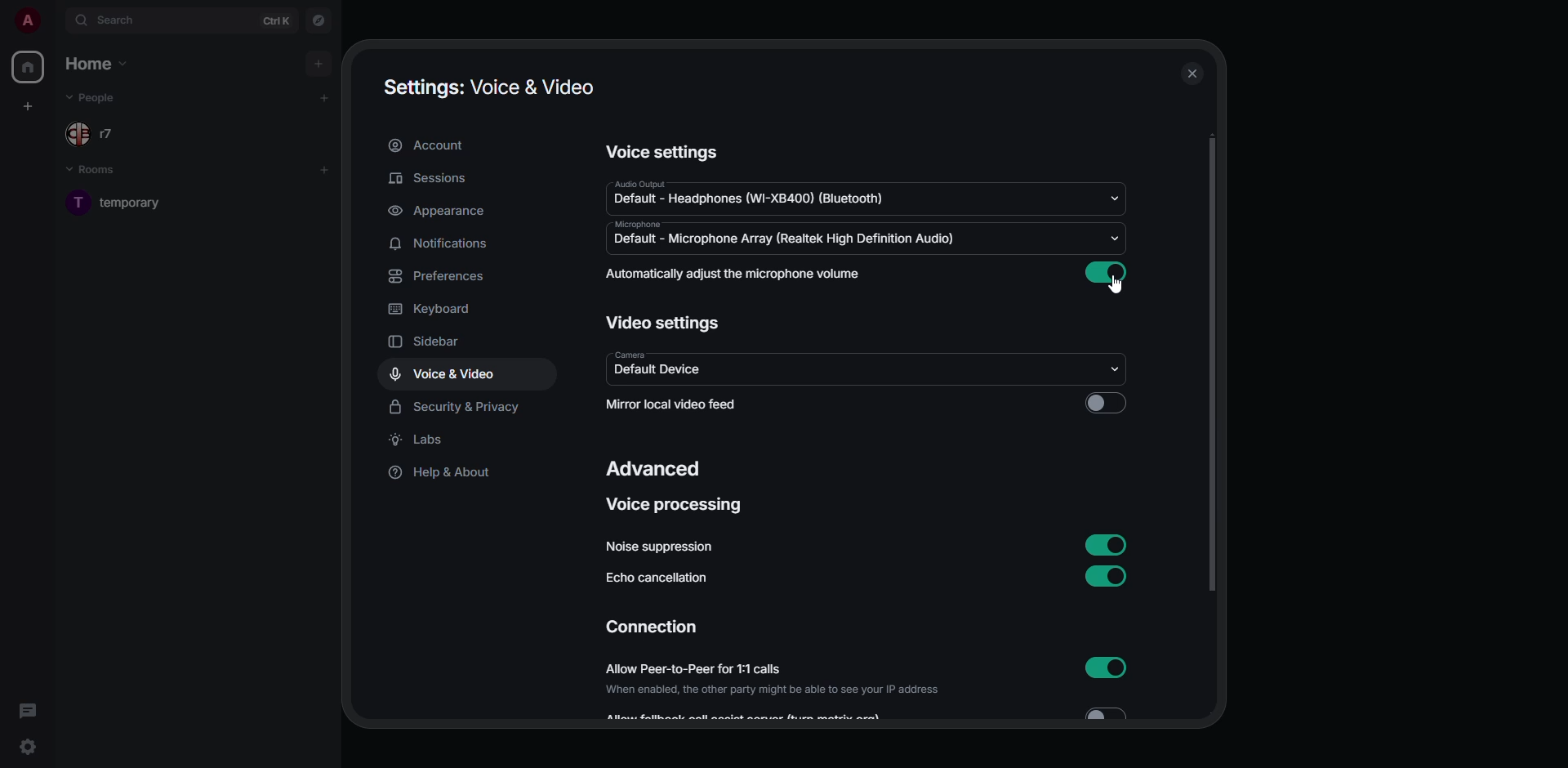 This screenshot has height=768, width=1568. What do you see at coordinates (447, 275) in the screenshot?
I see `preferences` at bounding box center [447, 275].